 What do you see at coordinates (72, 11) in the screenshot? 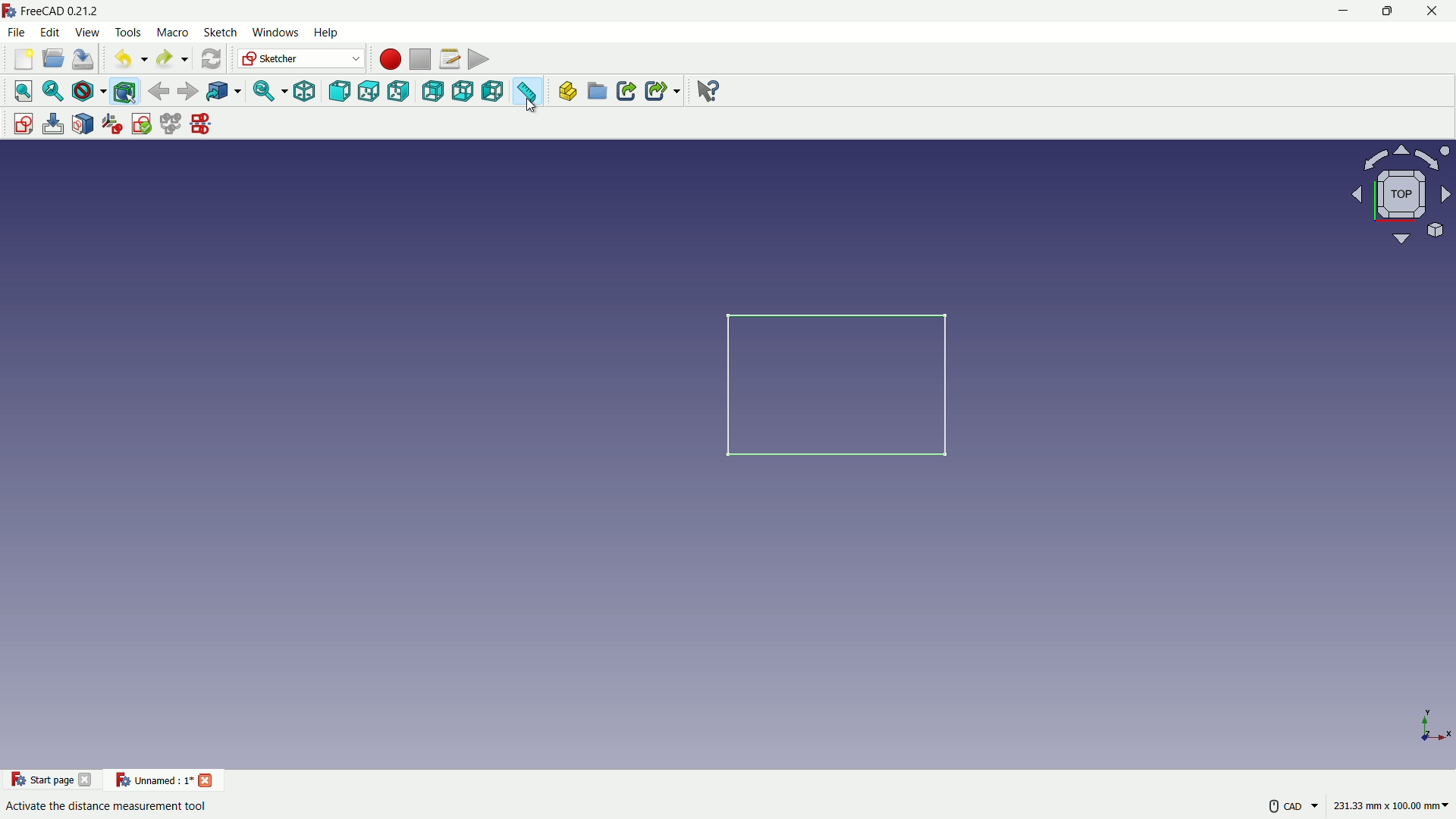
I see `FreeCAD 0212` at bounding box center [72, 11].